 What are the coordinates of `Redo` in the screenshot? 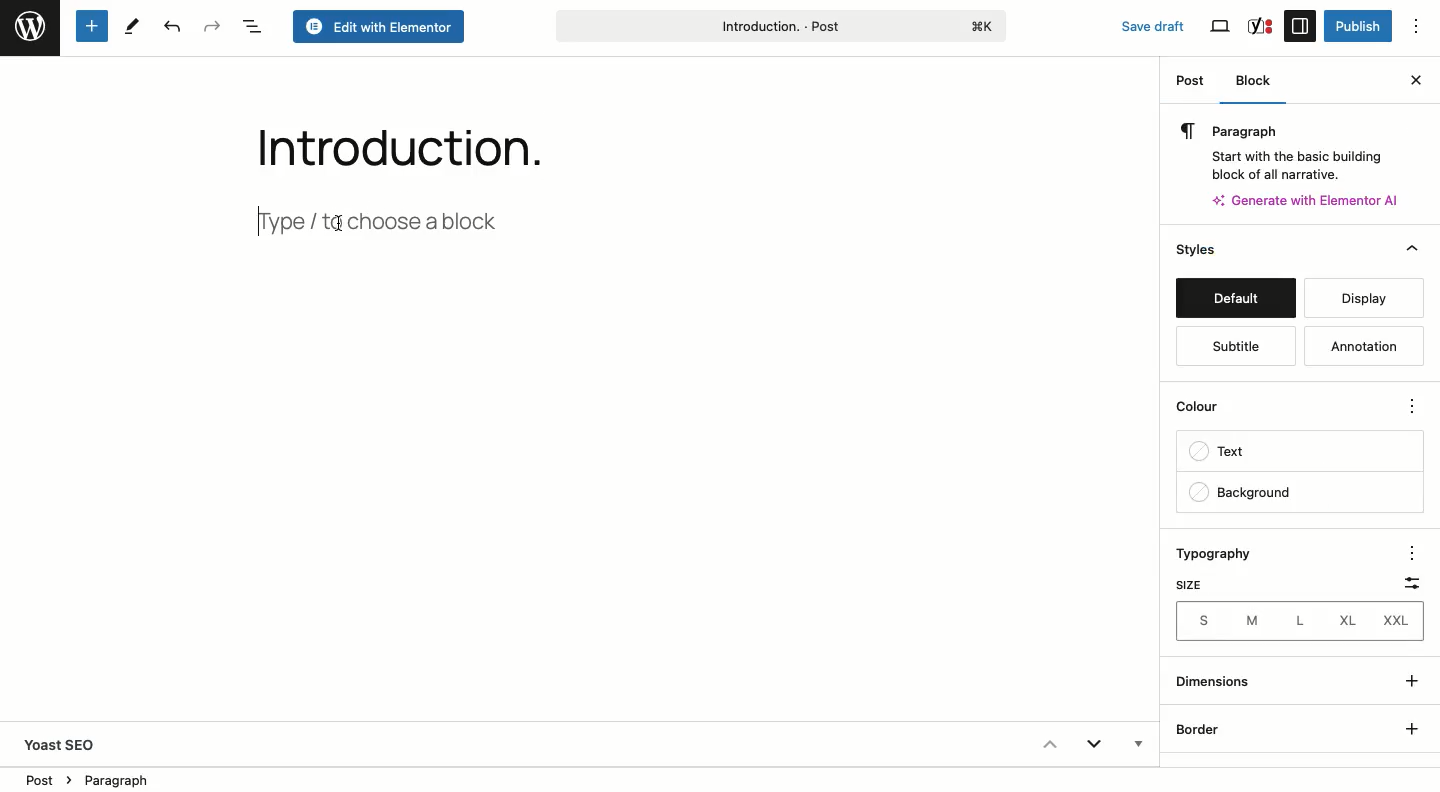 It's located at (213, 26).